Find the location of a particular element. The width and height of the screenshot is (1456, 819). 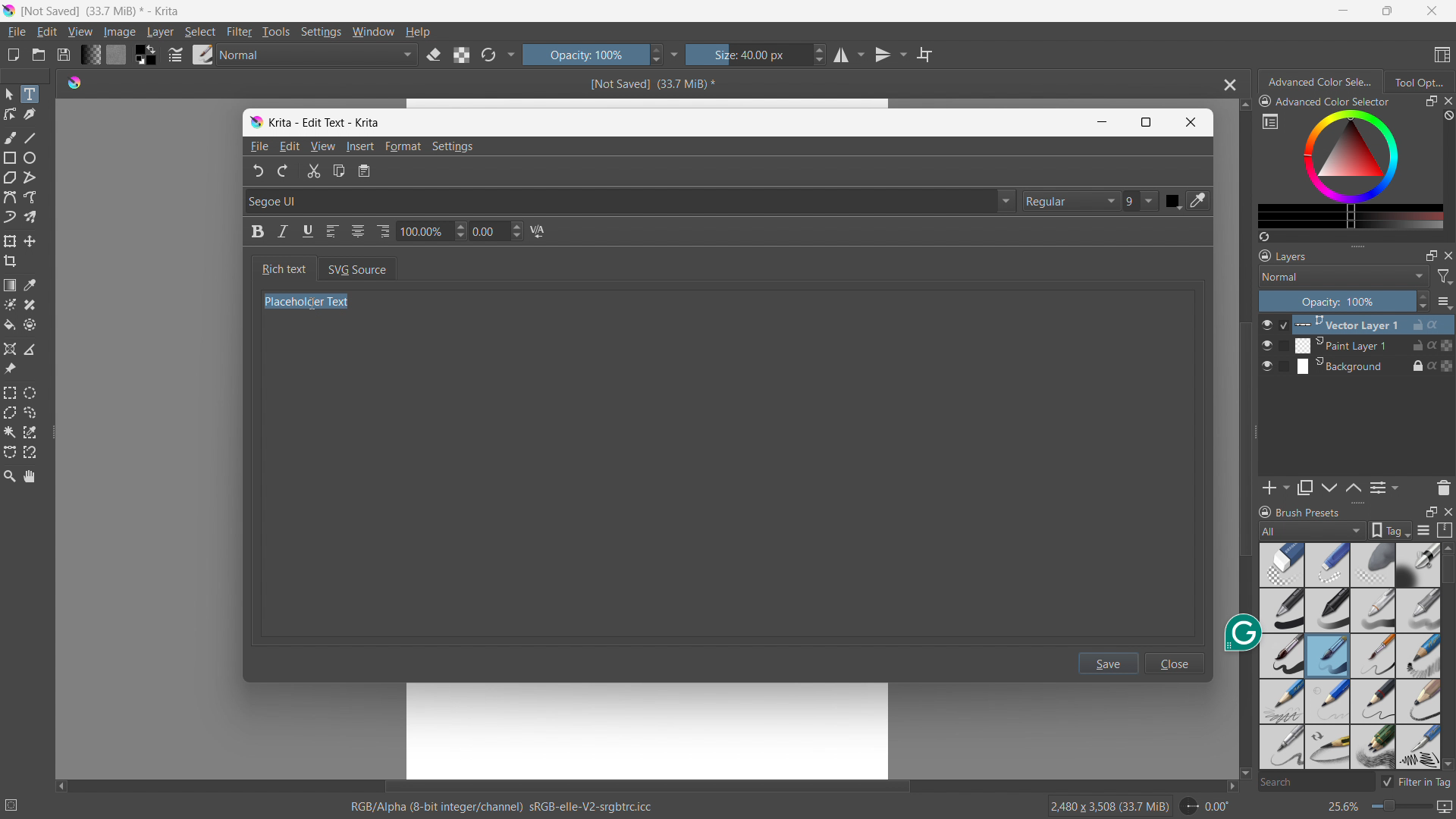

multi pencil  is located at coordinates (1374, 748).